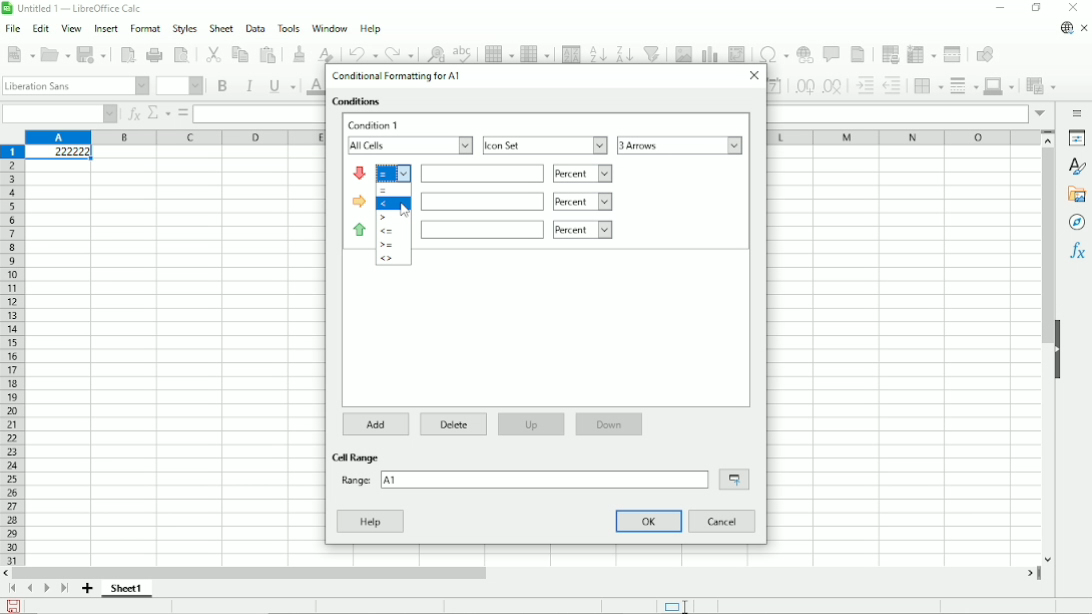  What do you see at coordinates (371, 29) in the screenshot?
I see `Help` at bounding box center [371, 29].